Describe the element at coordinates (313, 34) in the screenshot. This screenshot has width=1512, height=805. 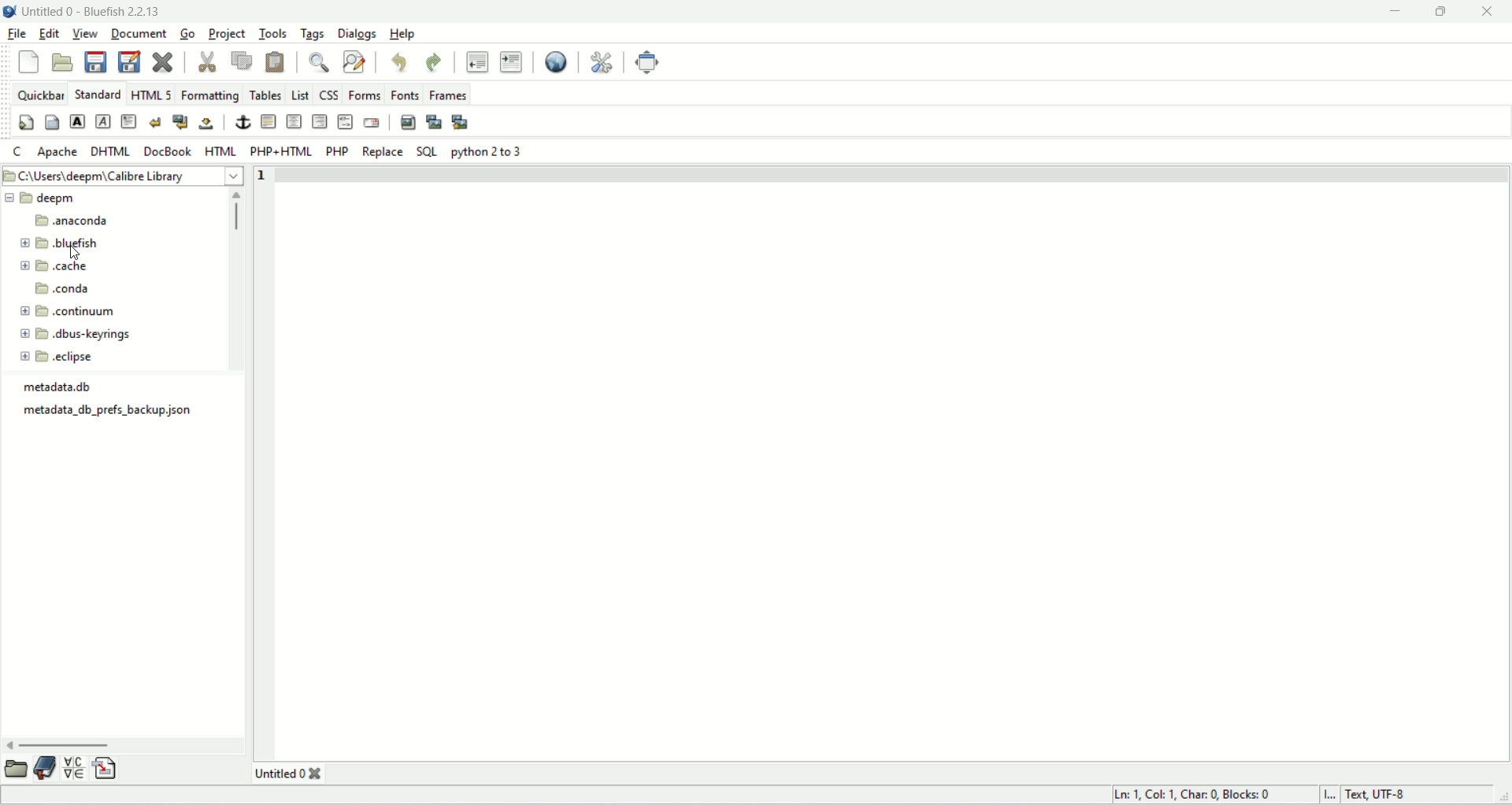
I see `tags` at that location.